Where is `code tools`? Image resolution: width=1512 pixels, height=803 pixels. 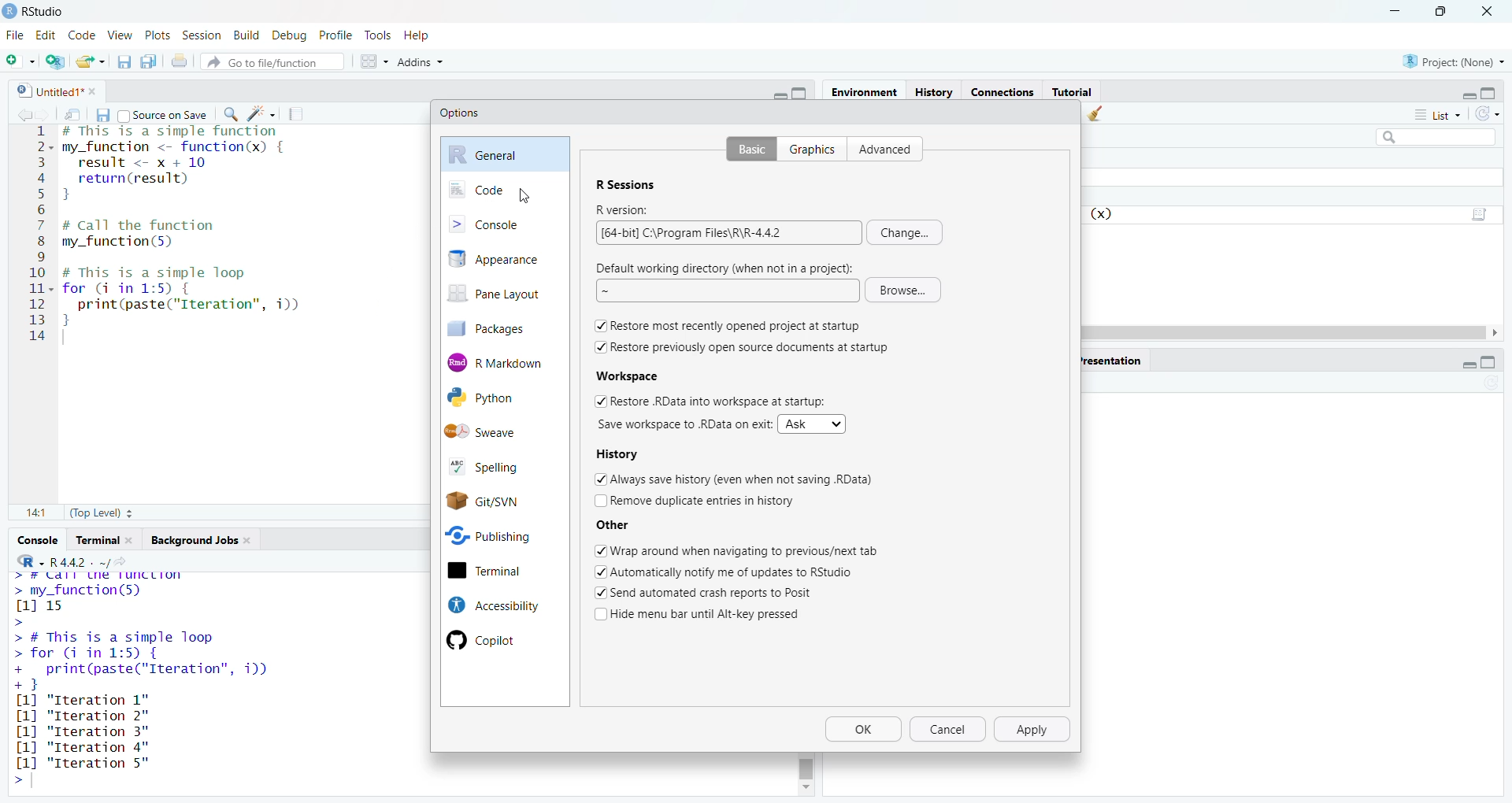
code tools is located at coordinates (262, 113).